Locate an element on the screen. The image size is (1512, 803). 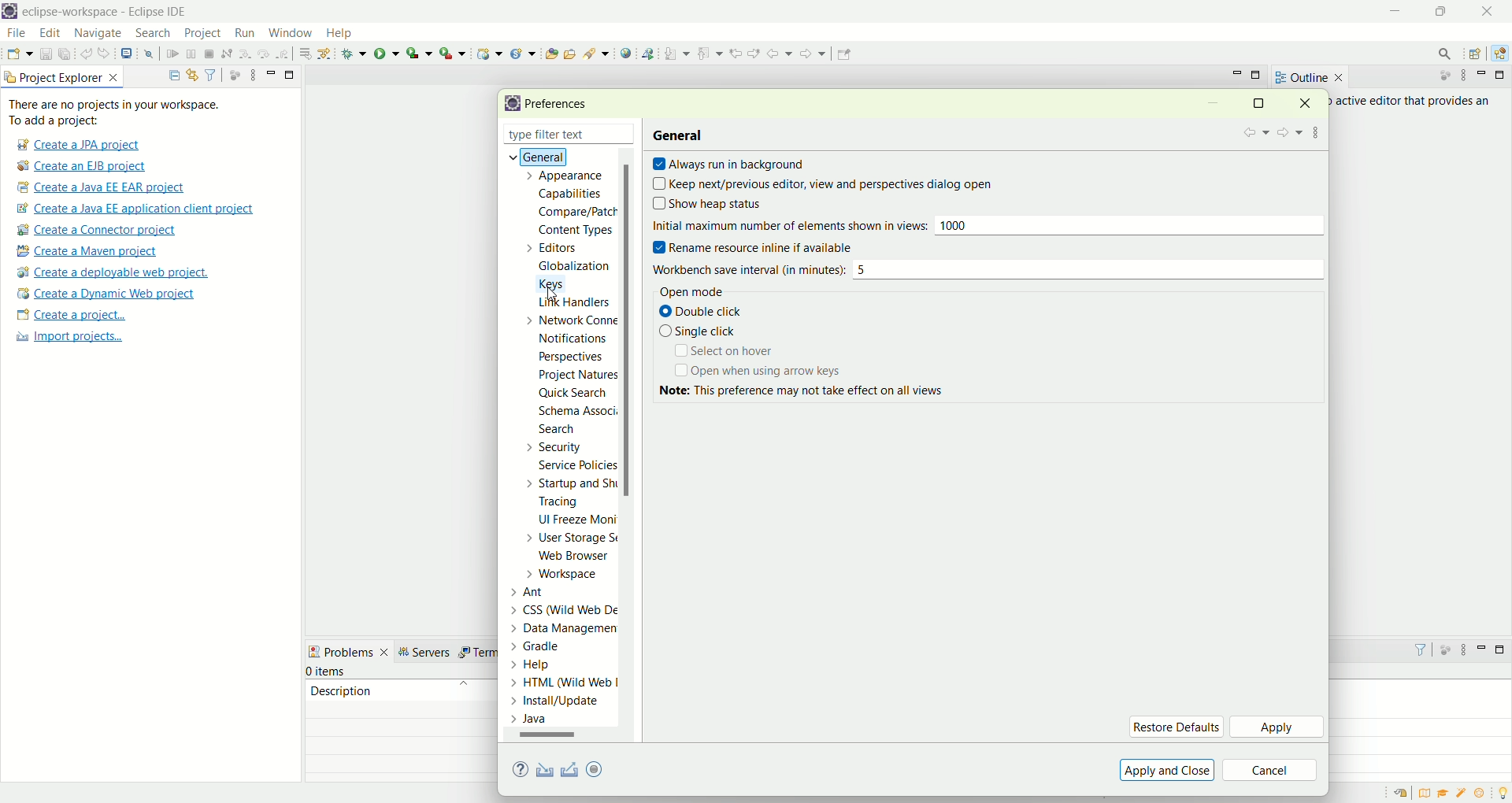
logo is located at coordinates (9, 13).